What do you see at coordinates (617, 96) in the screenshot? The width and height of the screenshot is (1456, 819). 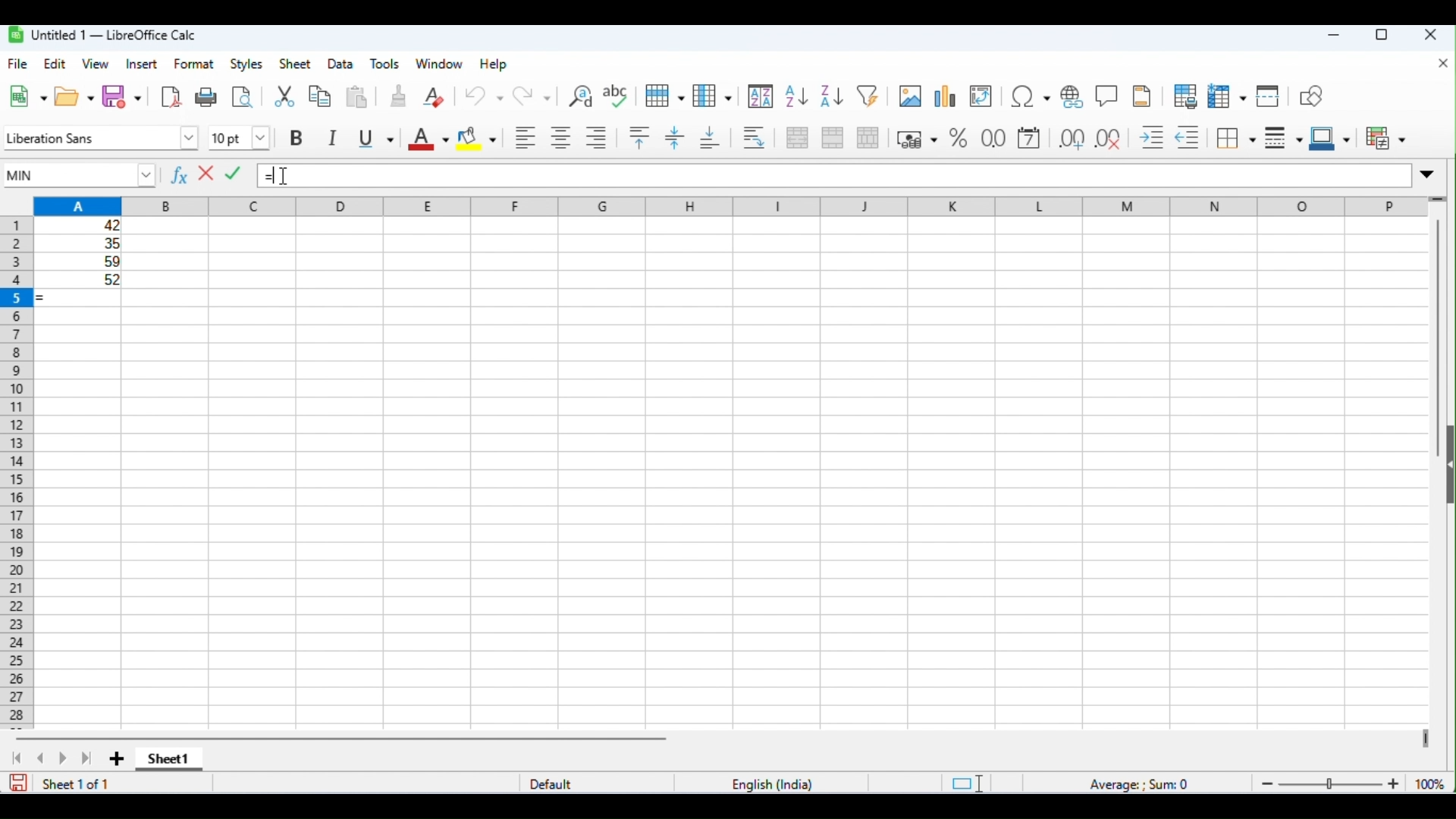 I see `spelling` at bounding box center [617, 96].